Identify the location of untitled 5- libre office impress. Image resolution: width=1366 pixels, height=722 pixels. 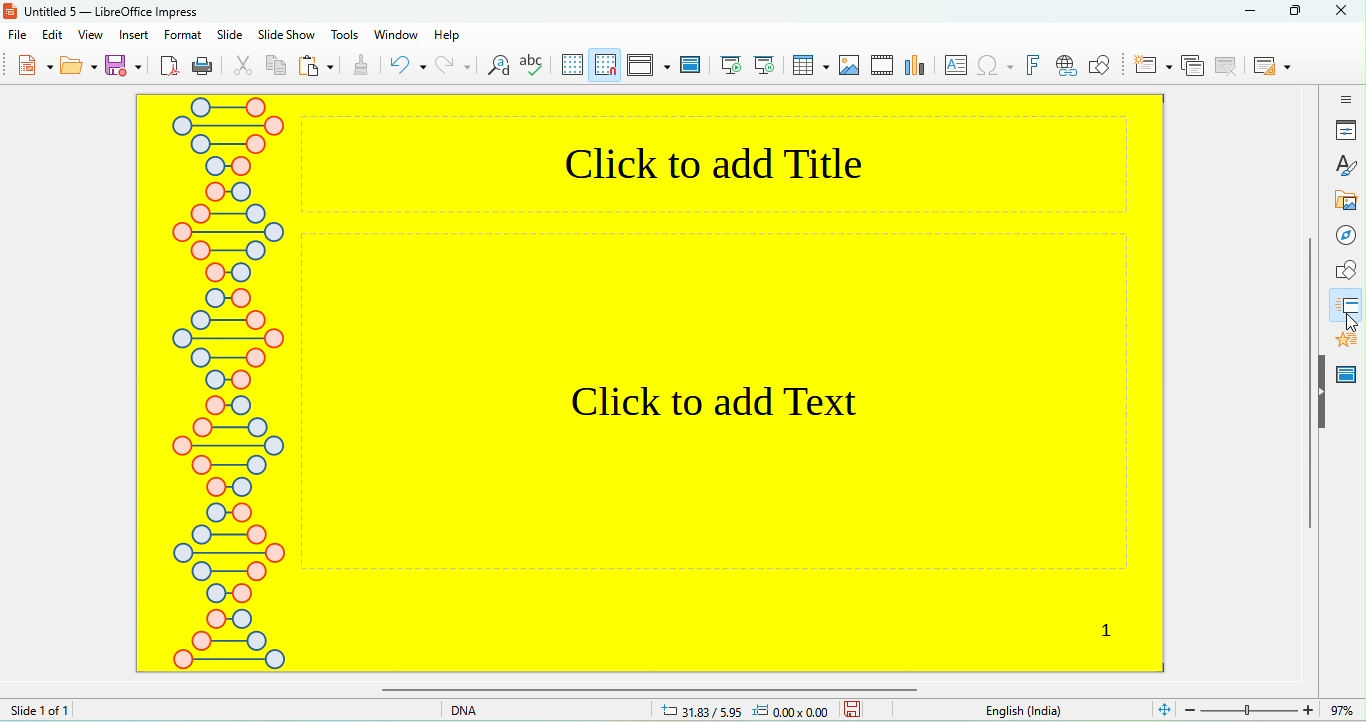
(104, 11).